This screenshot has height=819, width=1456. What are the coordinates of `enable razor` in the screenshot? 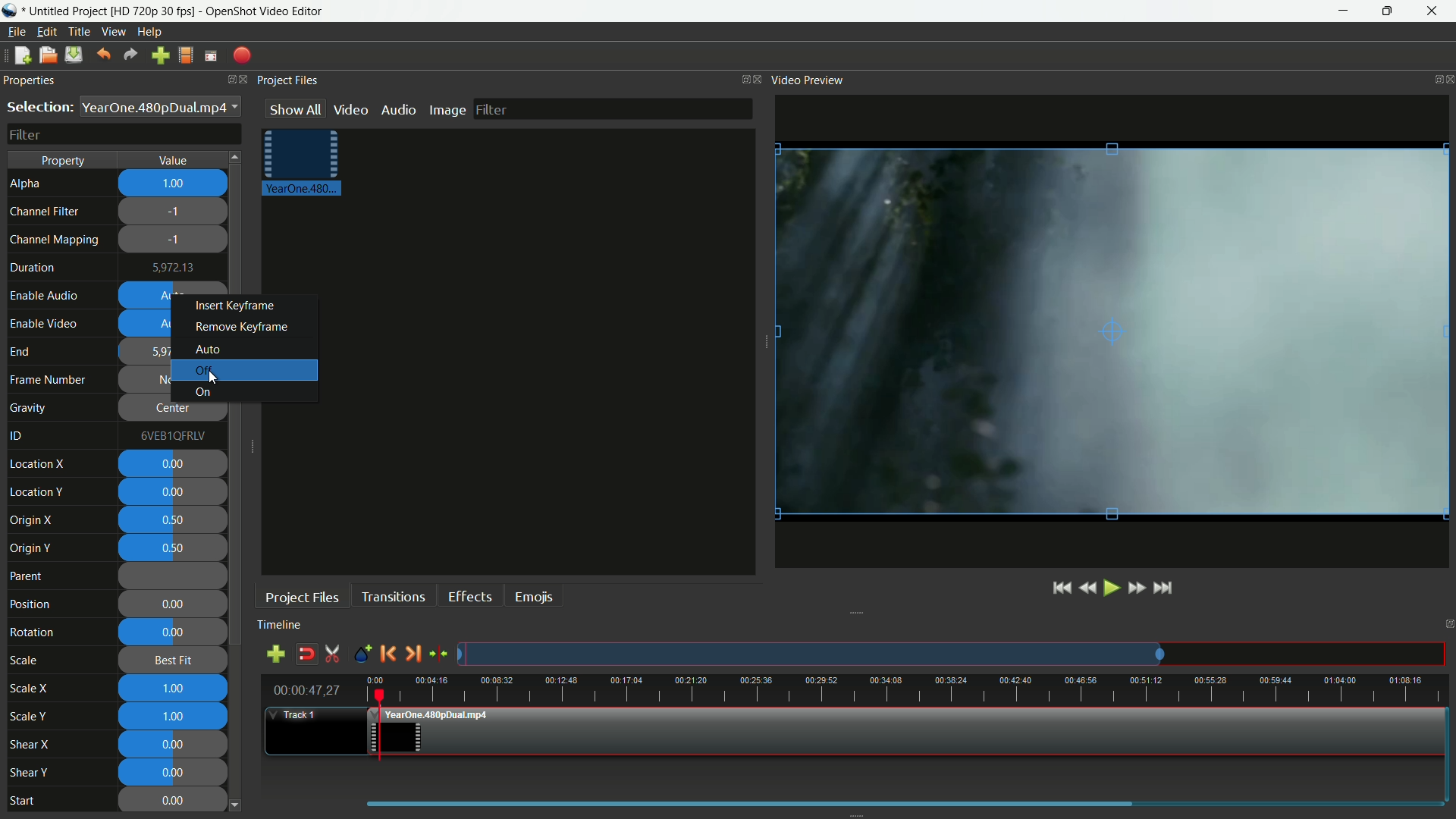 It's located at (331, 654).